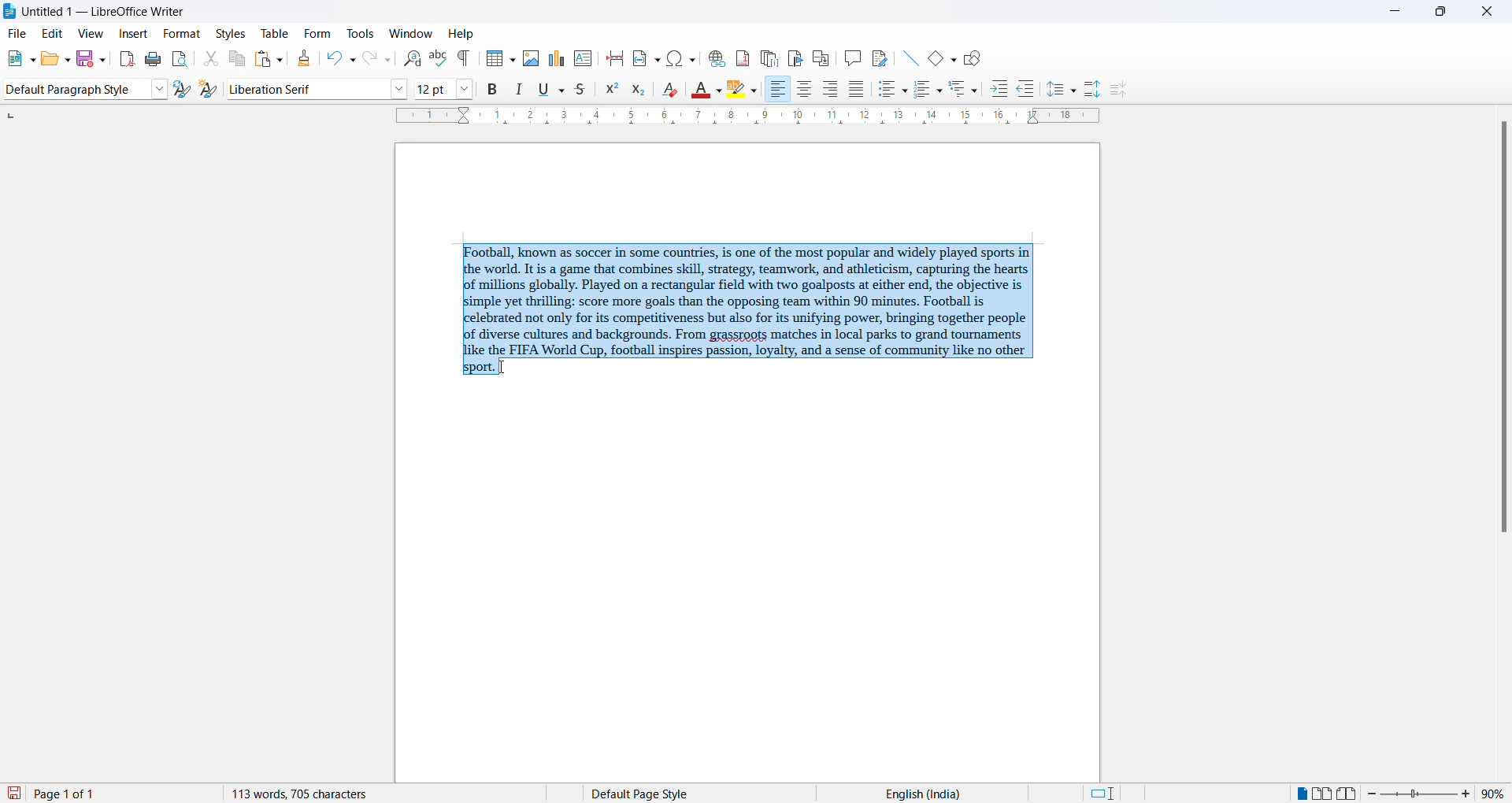 Image resolution: width=1512 pixels, height=803 pixels. What do you see at coordinates (494, 89) in the screenshot?
I see `bold` at bounding box center [494, 89].